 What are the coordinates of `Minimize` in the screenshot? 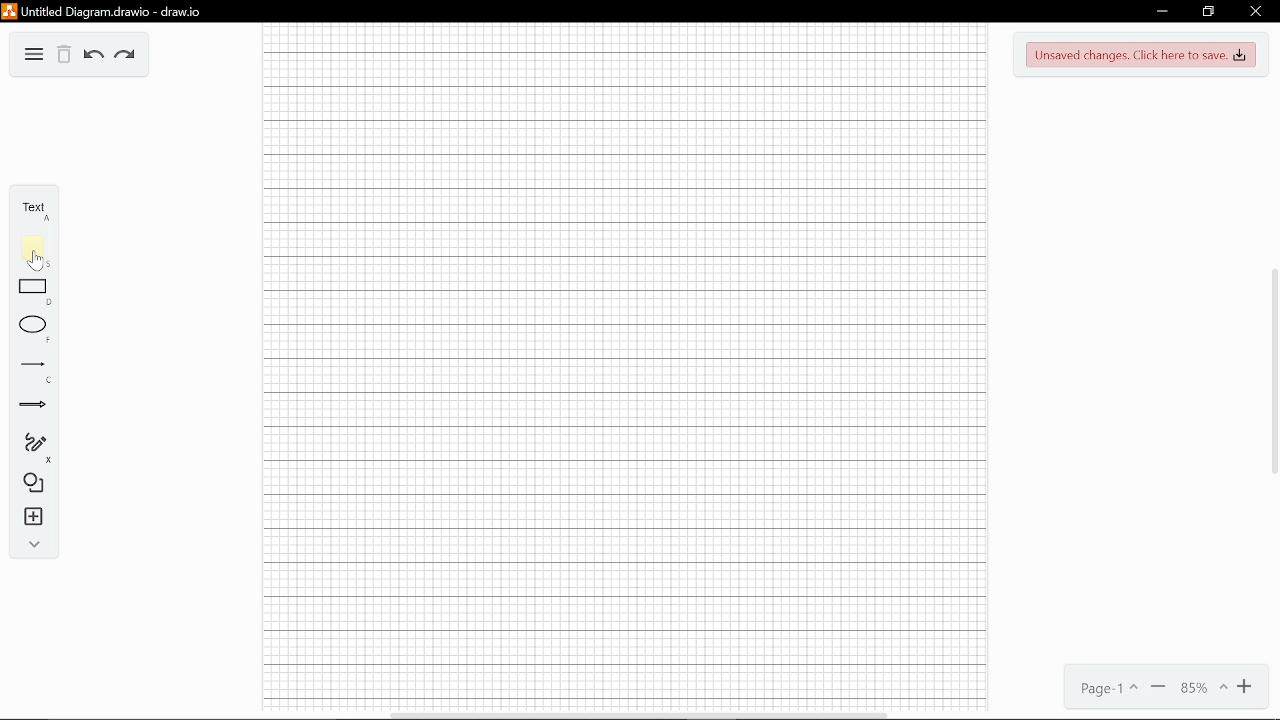 It's located at (1160, 13).